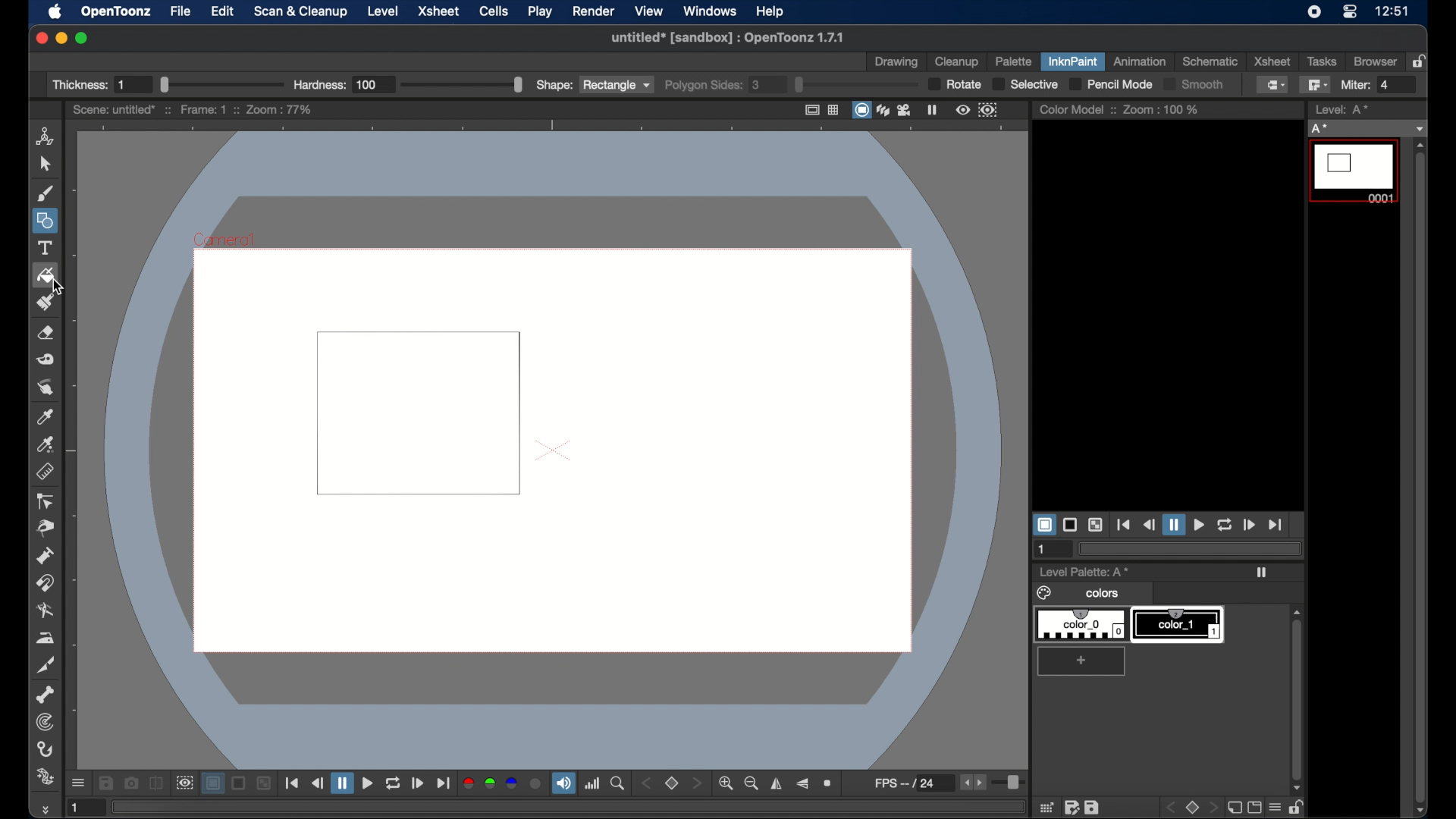 This screenshot has width=1456, height=819. What do you see at coordinates (959, 61) in the screenshot?
I see `cleanup` at bounding box center [959, 61].